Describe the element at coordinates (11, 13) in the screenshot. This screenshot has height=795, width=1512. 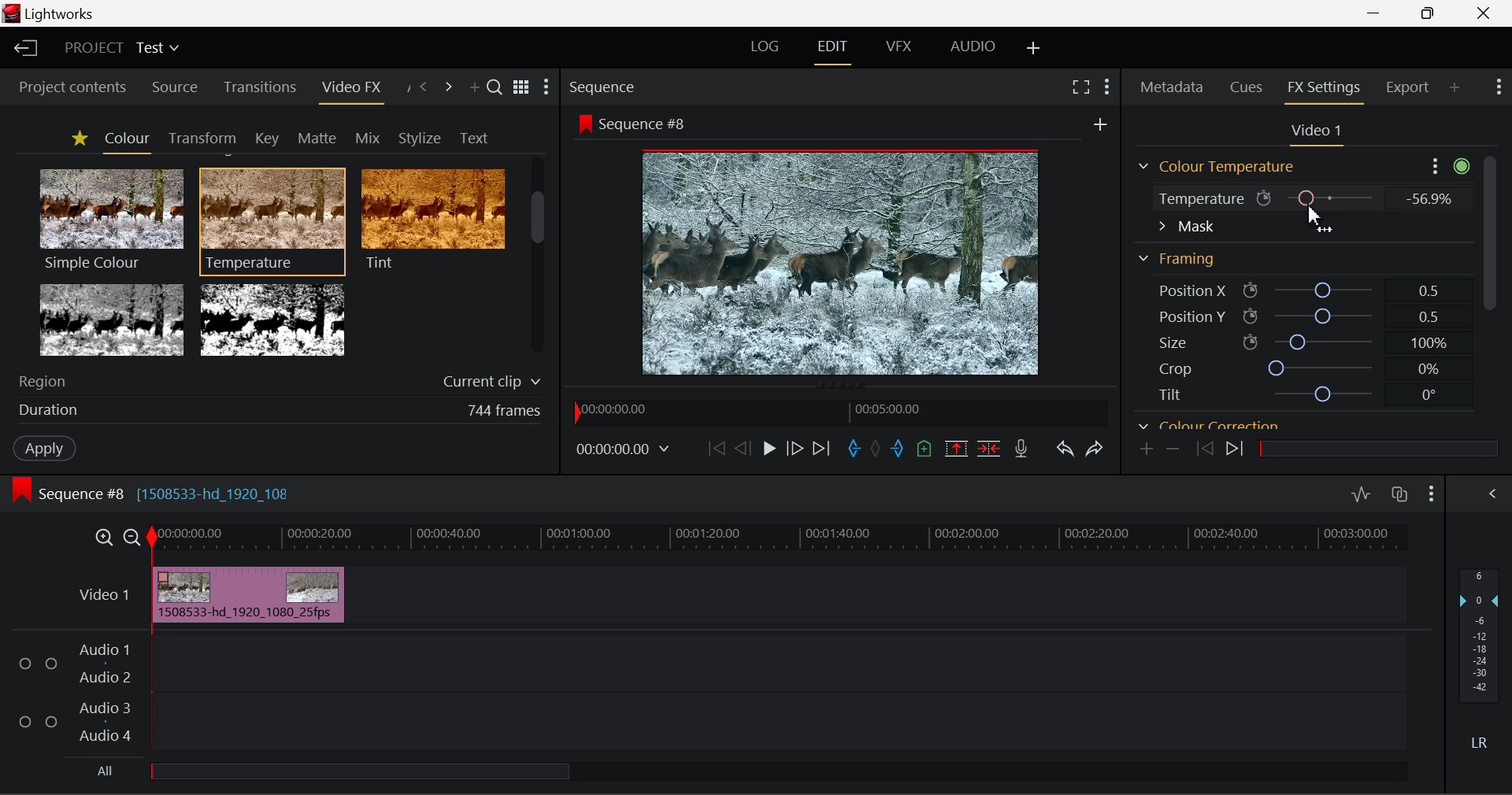
I see `logo` at that location.